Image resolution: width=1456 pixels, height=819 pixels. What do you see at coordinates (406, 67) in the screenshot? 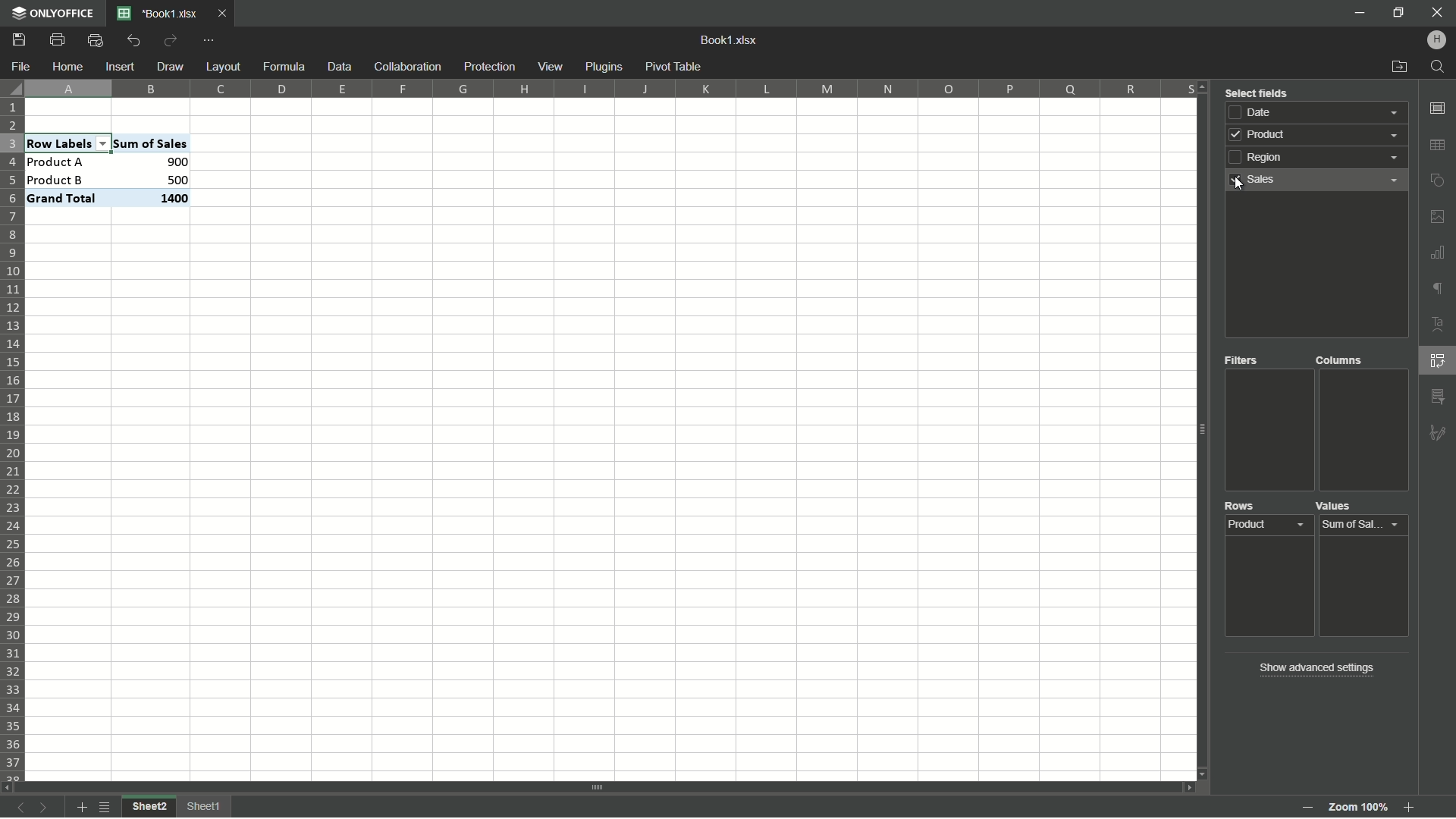
I see `Collaboration` at bounding box center [406, 67].